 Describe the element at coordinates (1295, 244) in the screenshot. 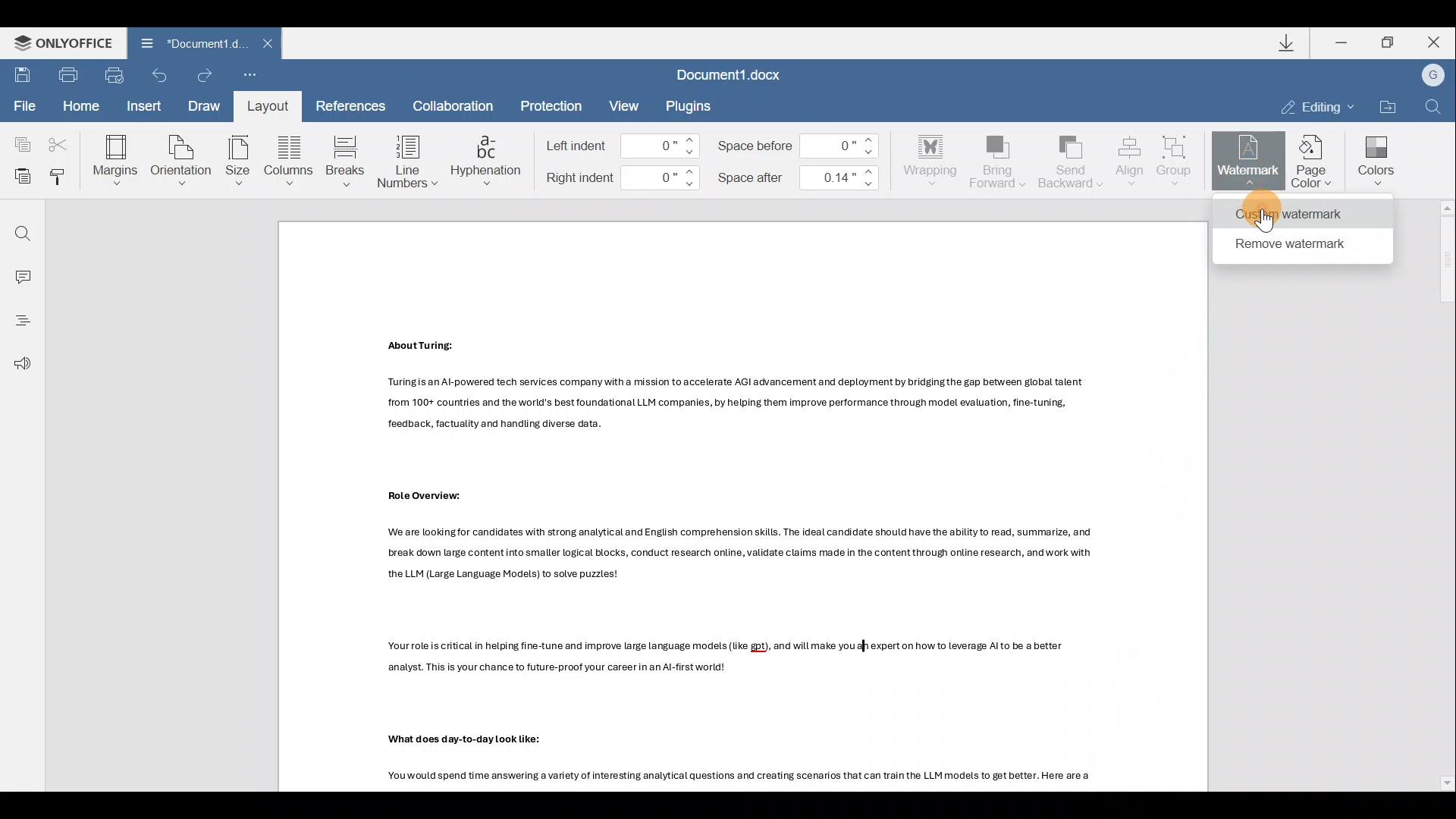

I see `Remove watermark` at that location.